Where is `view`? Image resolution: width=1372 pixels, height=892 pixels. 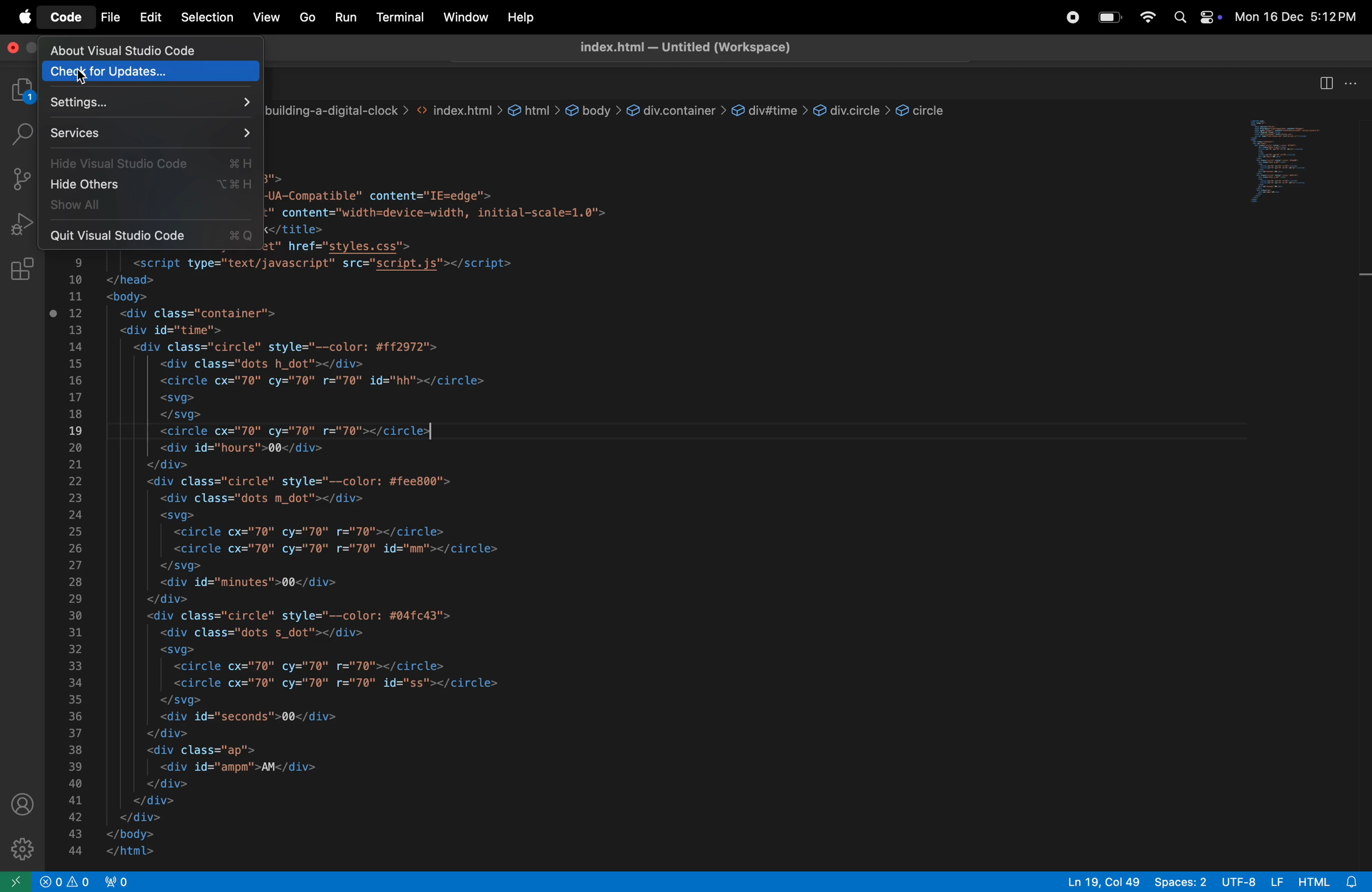 view is located at coordinates (268, 17).